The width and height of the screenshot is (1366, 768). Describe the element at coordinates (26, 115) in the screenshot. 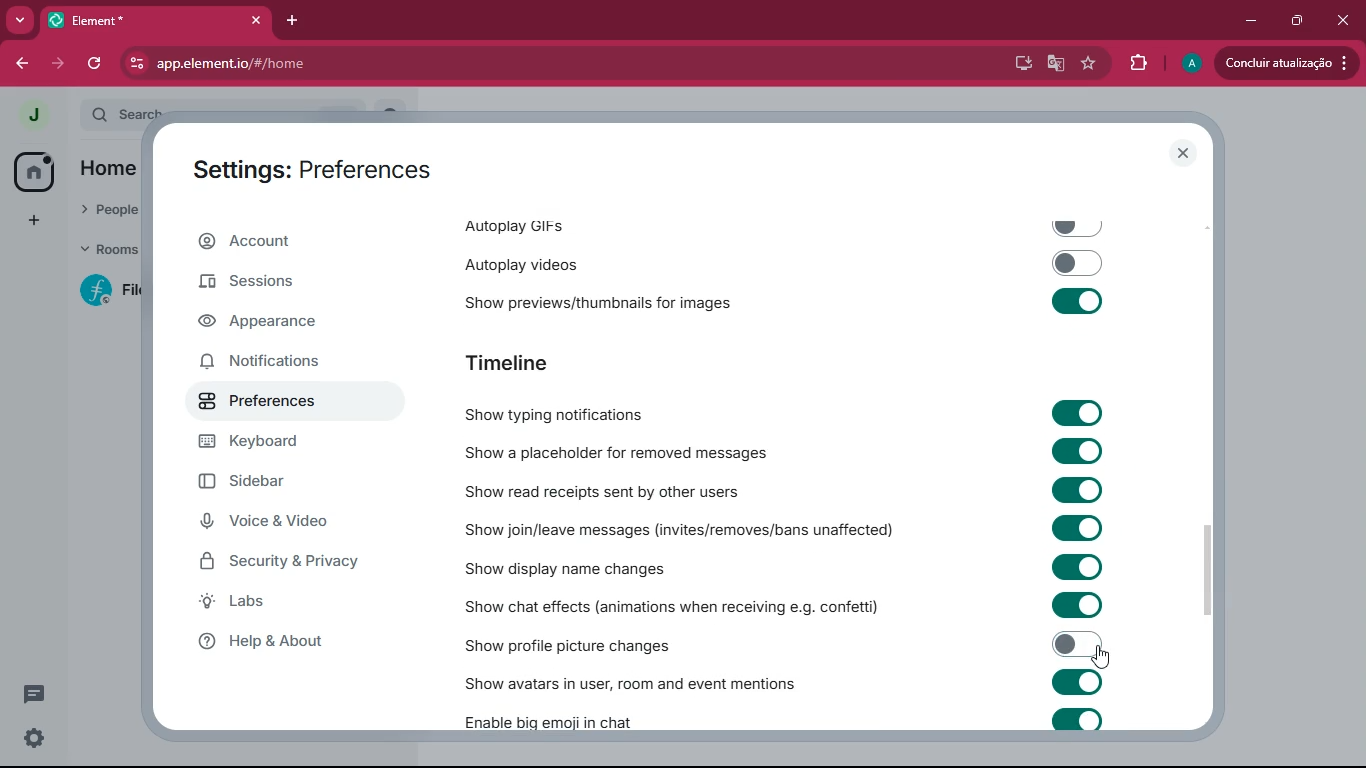

I see `view profile ` at that location.